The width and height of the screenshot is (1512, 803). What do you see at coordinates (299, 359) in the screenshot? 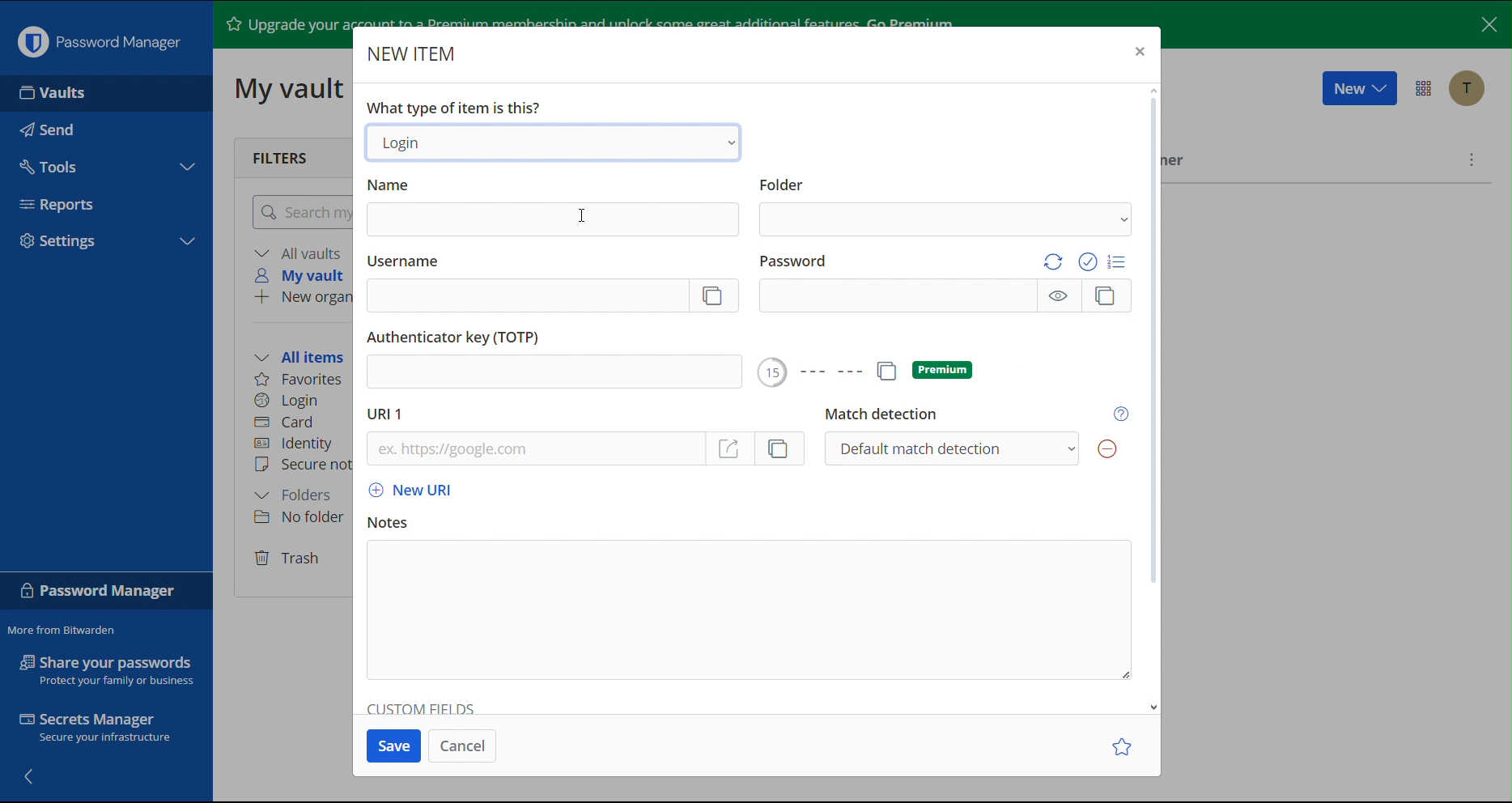
I see `All items` at bounding box center [299, 359].